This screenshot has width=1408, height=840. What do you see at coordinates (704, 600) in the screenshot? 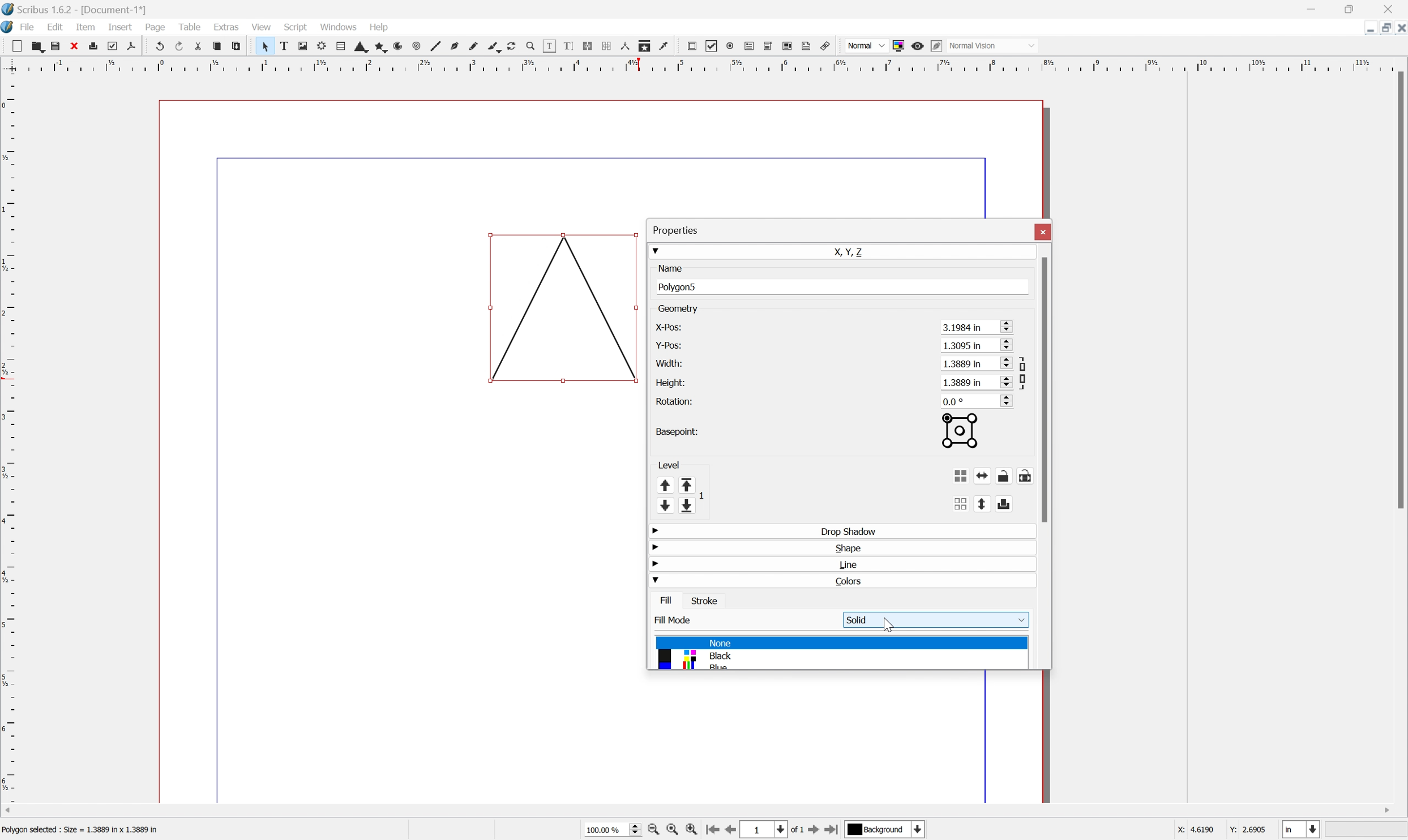
I see `Stroke` at bounding box center [704, 600].